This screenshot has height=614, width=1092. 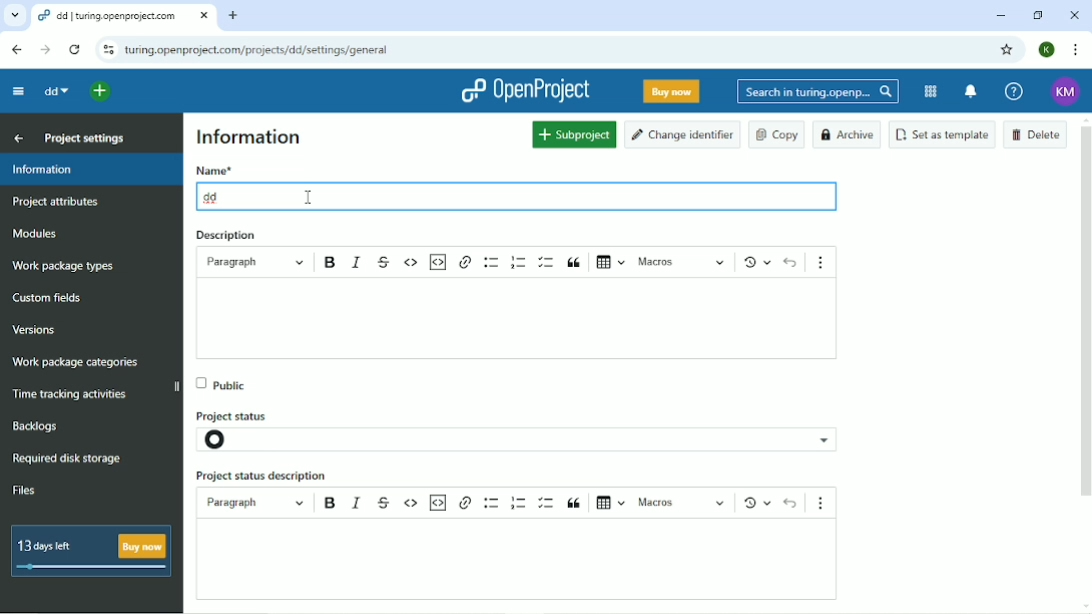 What do you see at coordinates (75, 50) in the screenshot?
I see `Reload this page` at bounding box center [75, 50].